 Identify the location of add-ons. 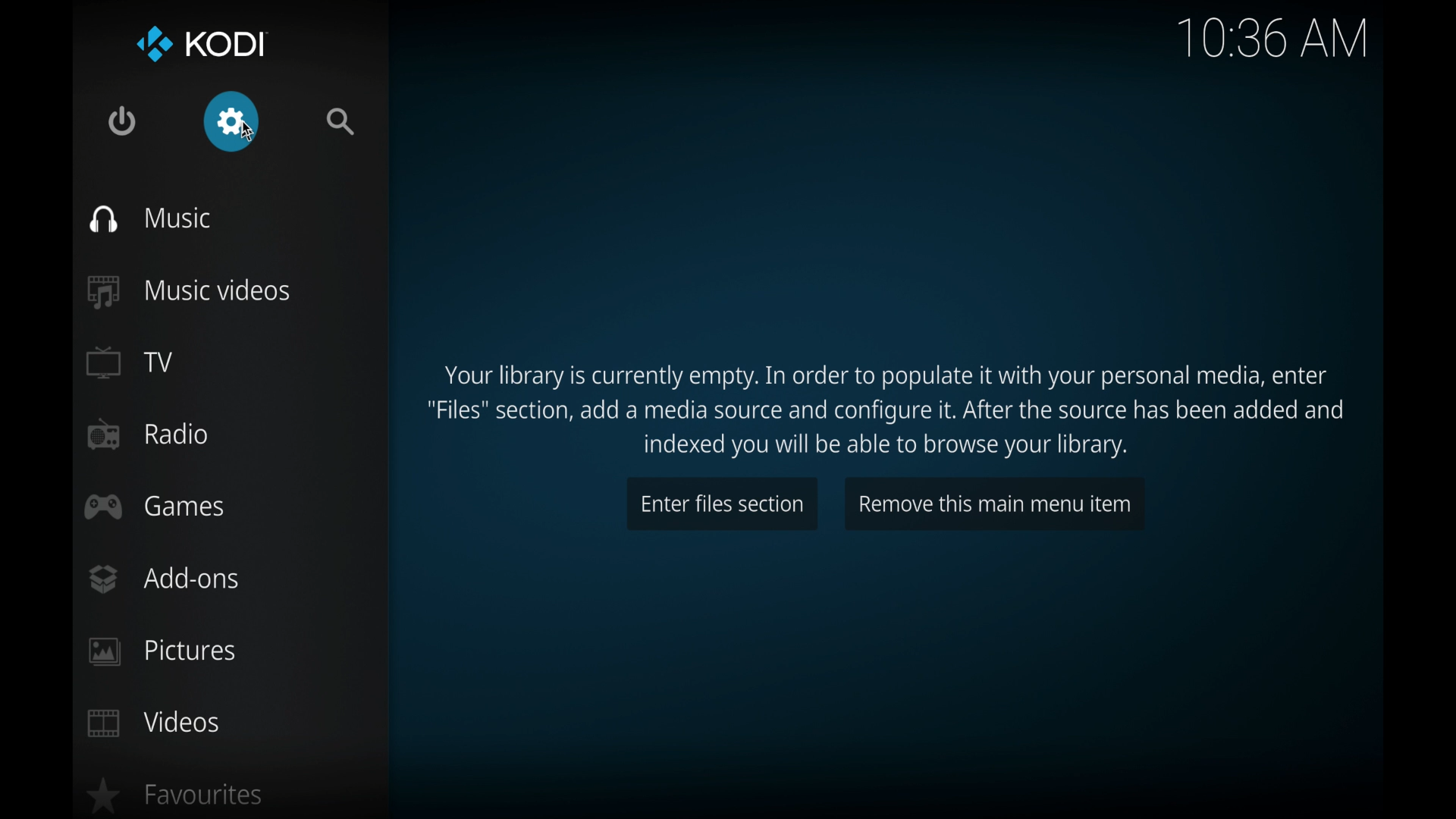
(164, 578).